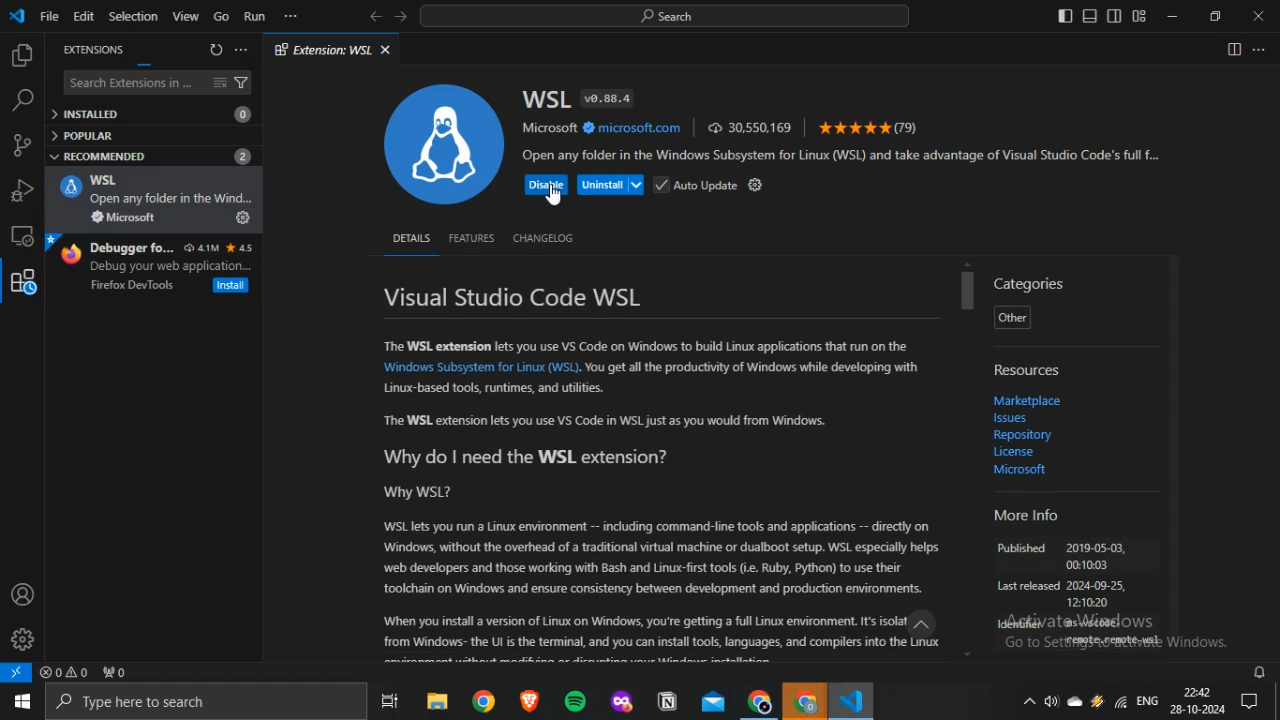  Describe the element at coordinates (479, 368) in the screenshot. I see `‘Windows Subsystem for Linux (WSL)` at that location.